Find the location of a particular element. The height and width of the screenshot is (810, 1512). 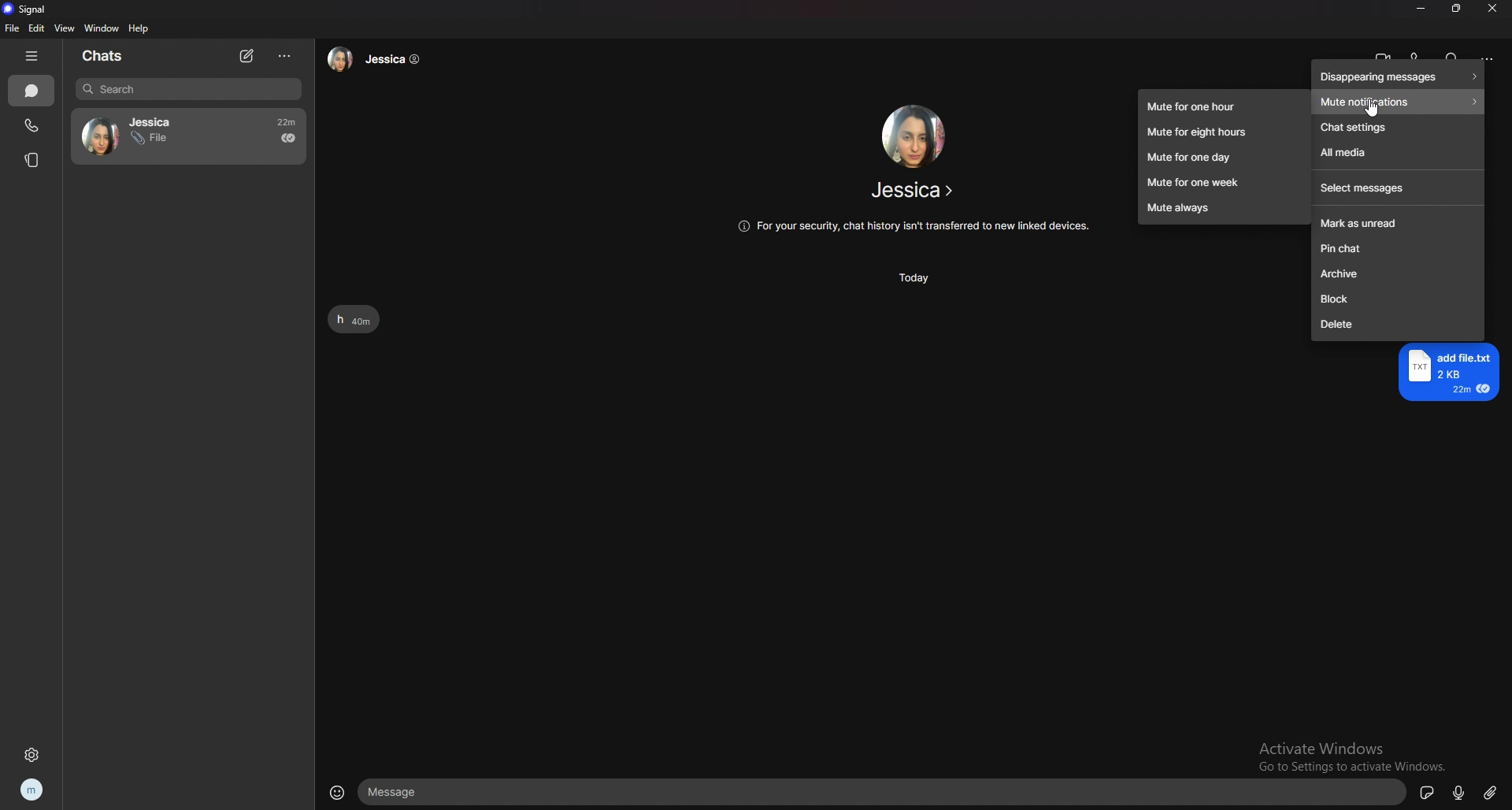

stories is located at coordinates (33, 162).